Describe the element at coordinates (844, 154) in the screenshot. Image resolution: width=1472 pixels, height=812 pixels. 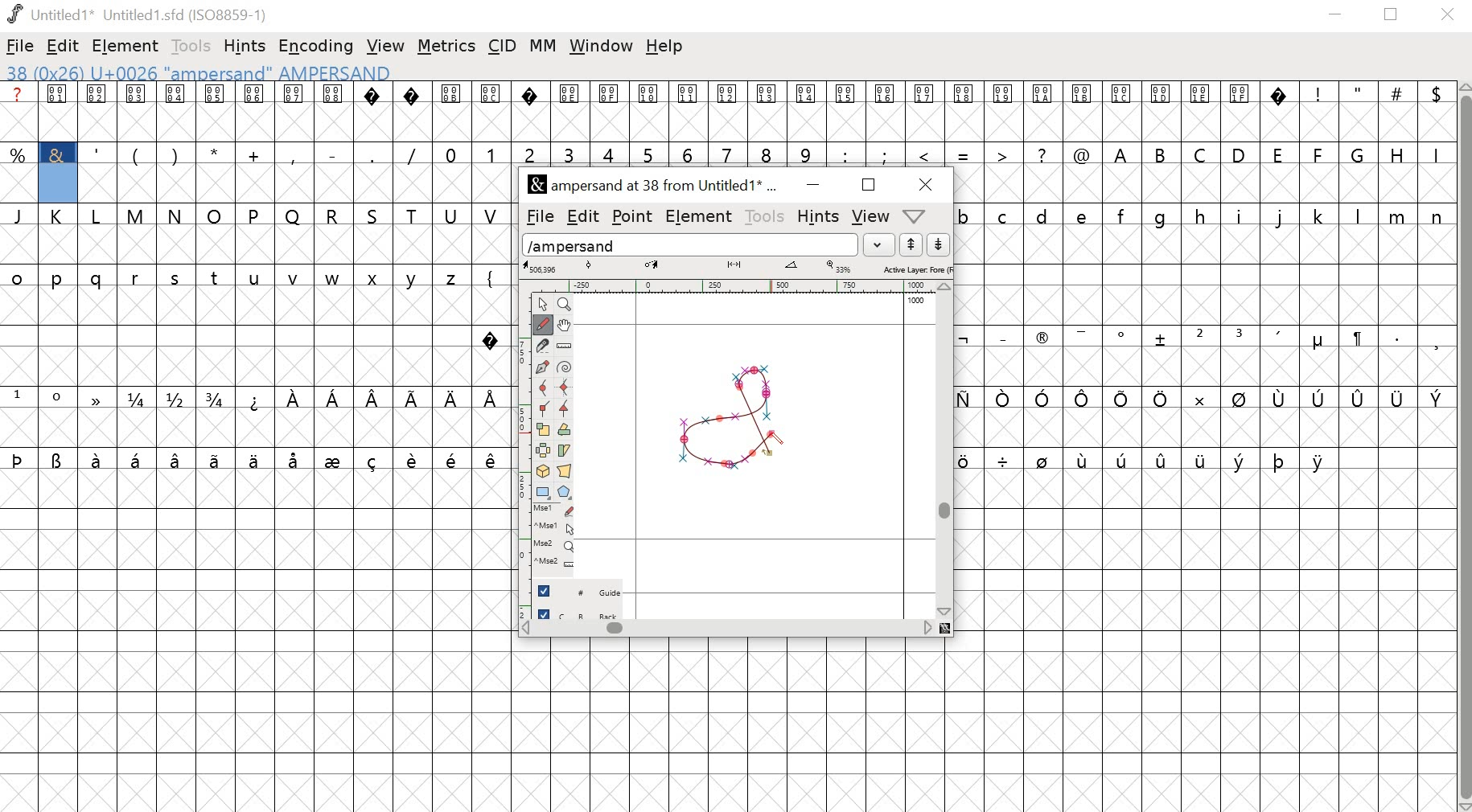
I see `:` at that location.